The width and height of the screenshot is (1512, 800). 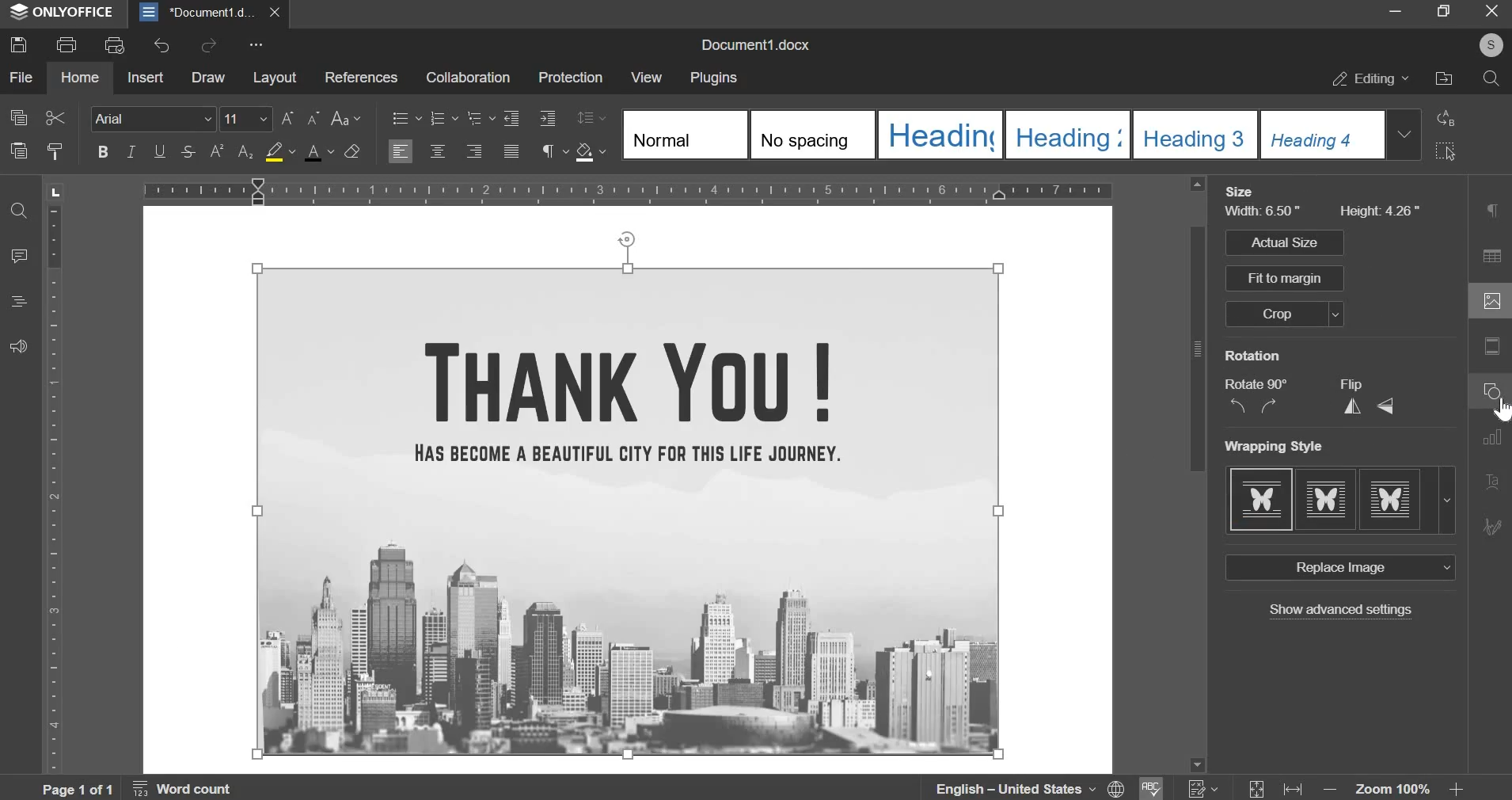 I want to click on numbering, so click(x=443, y=118).